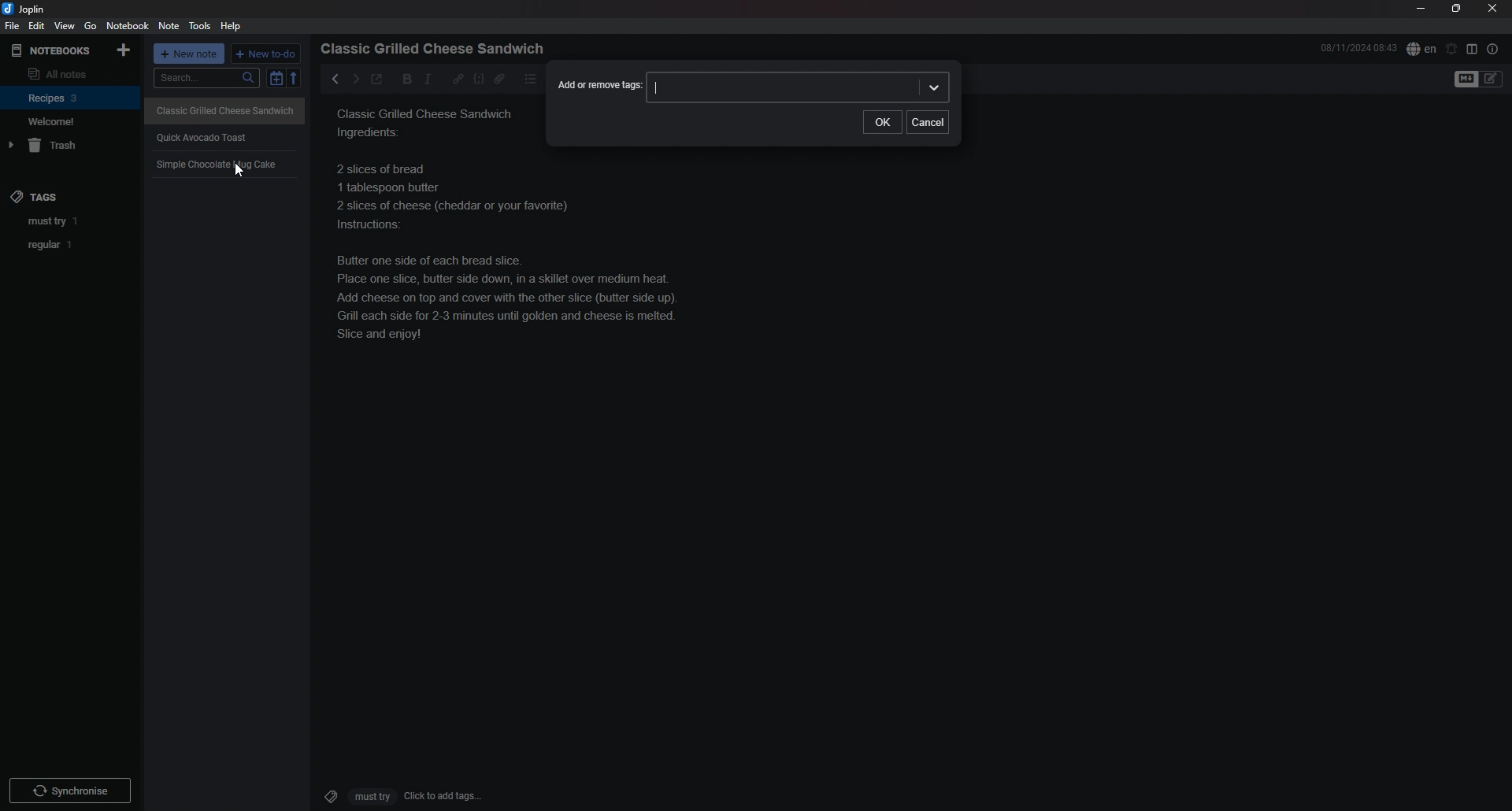 The height and width of the screenshot is (811, 1512). I want to click on notebook, so click(129, 25).